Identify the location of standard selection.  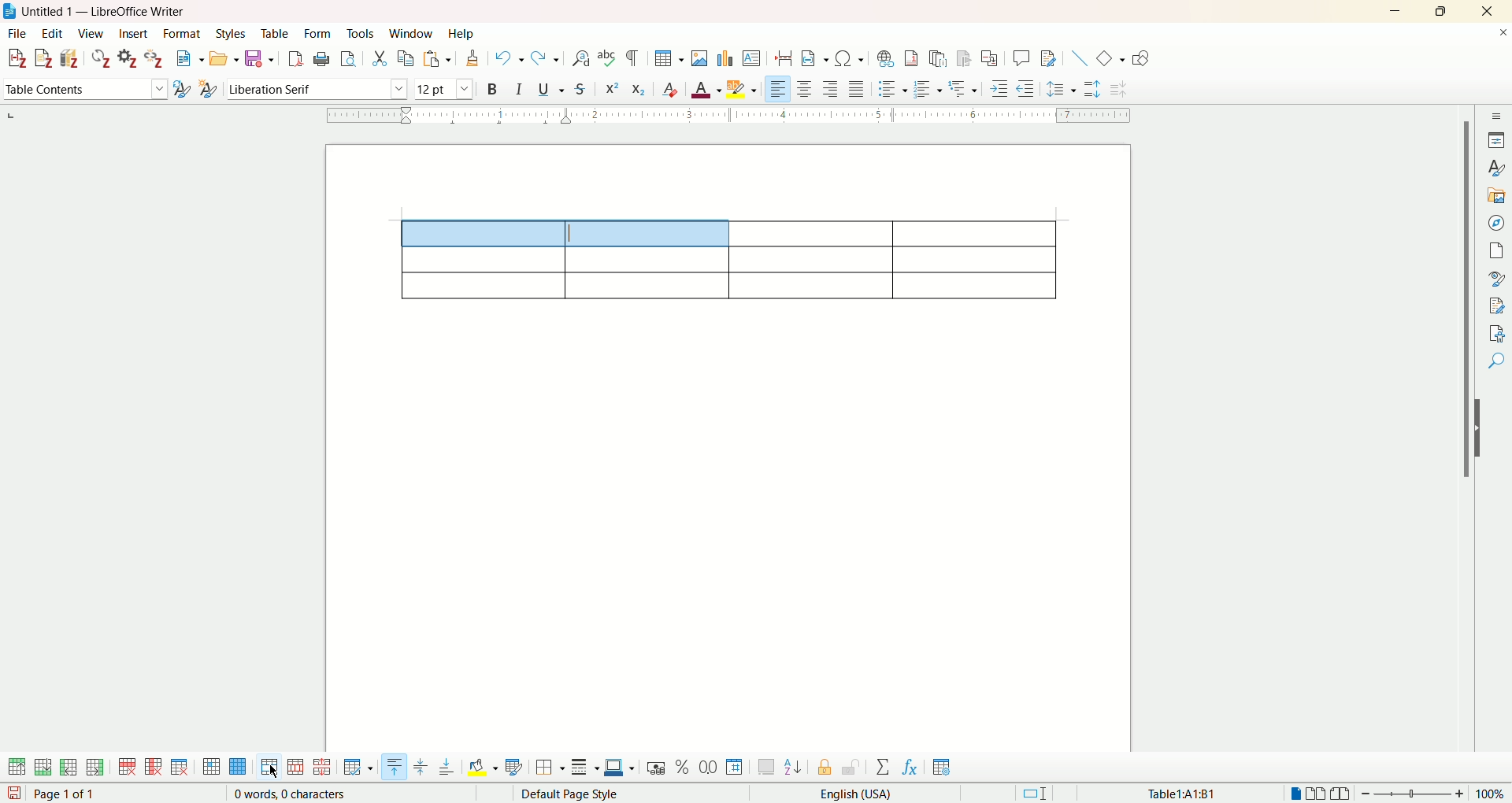
(1046, 792).